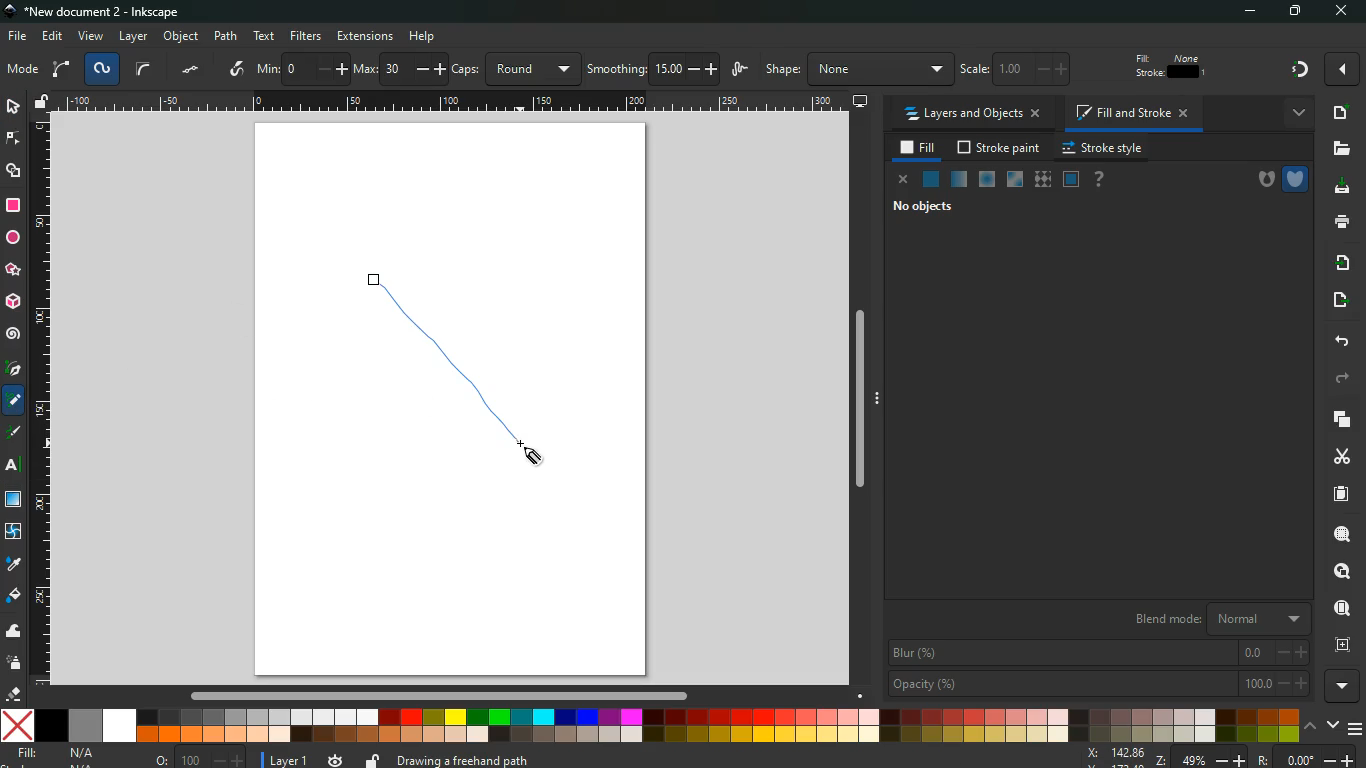 This screenshot has height=768, width=1366. I want to click on window, so click(1014, 180).